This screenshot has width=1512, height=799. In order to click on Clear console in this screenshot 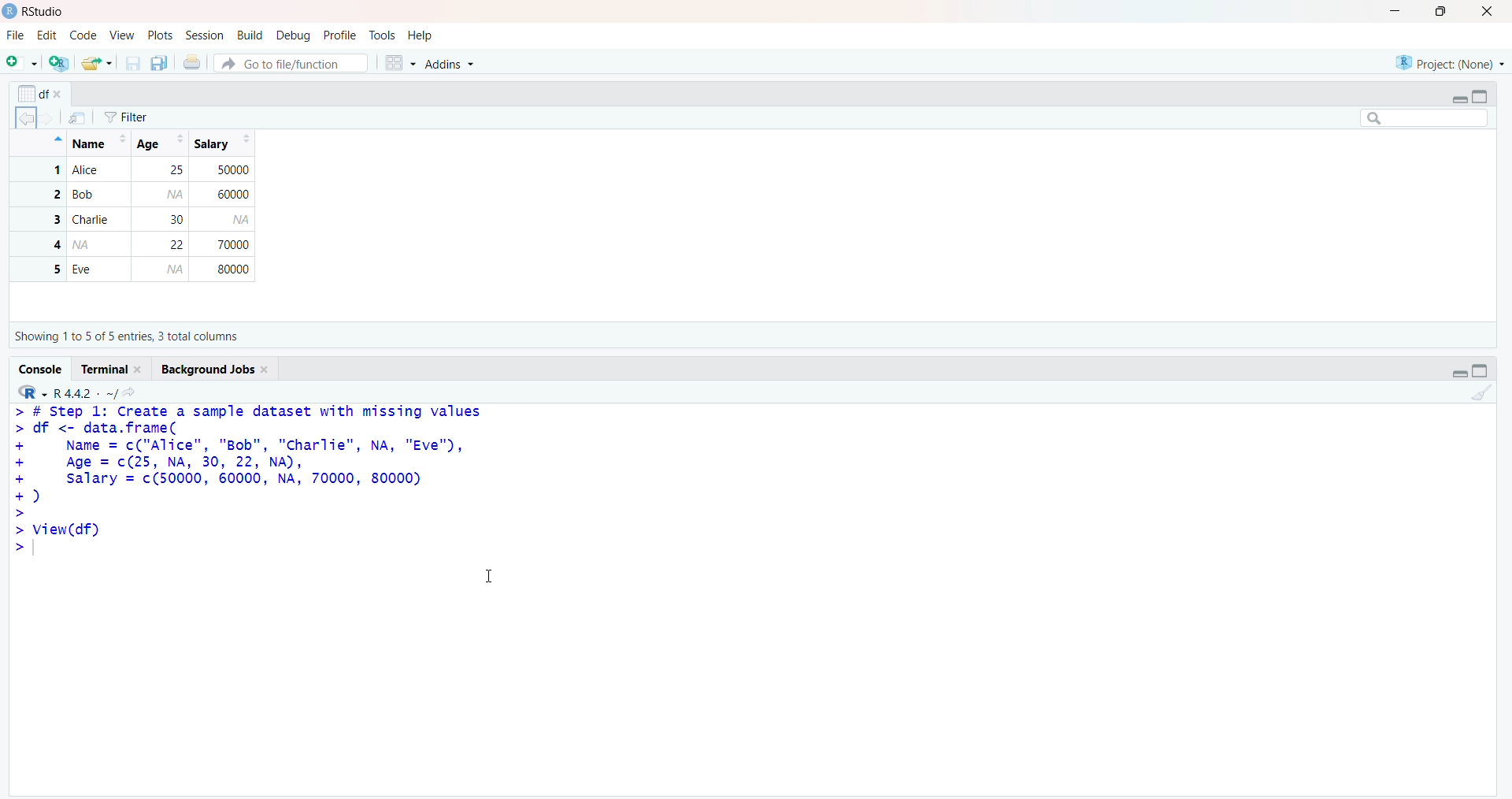, I will do `click(1482, 397)`.